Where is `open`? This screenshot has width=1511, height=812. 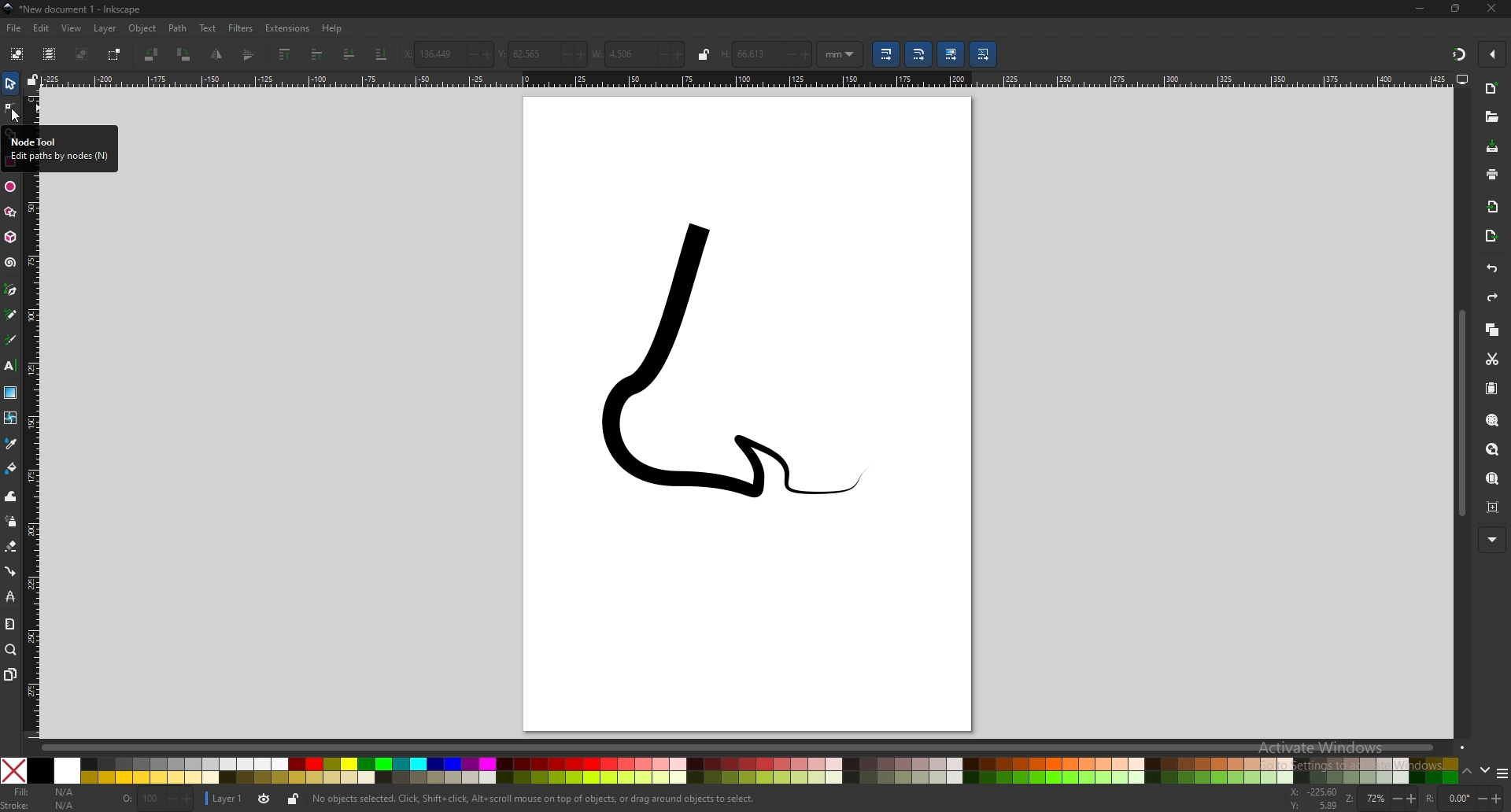 open is located at coordinates (1491, 119).